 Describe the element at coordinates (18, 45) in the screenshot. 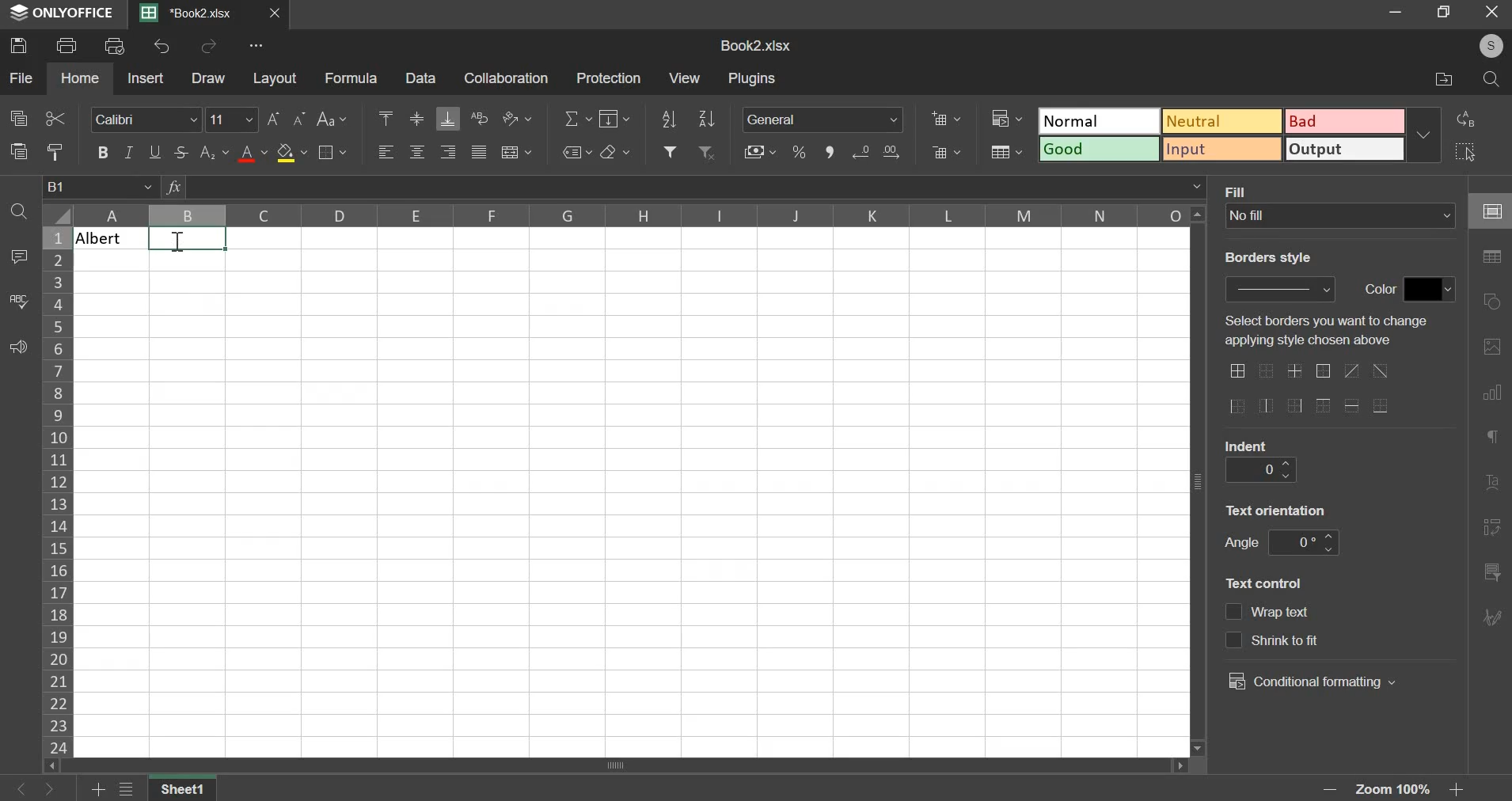

I see `save` at that location.